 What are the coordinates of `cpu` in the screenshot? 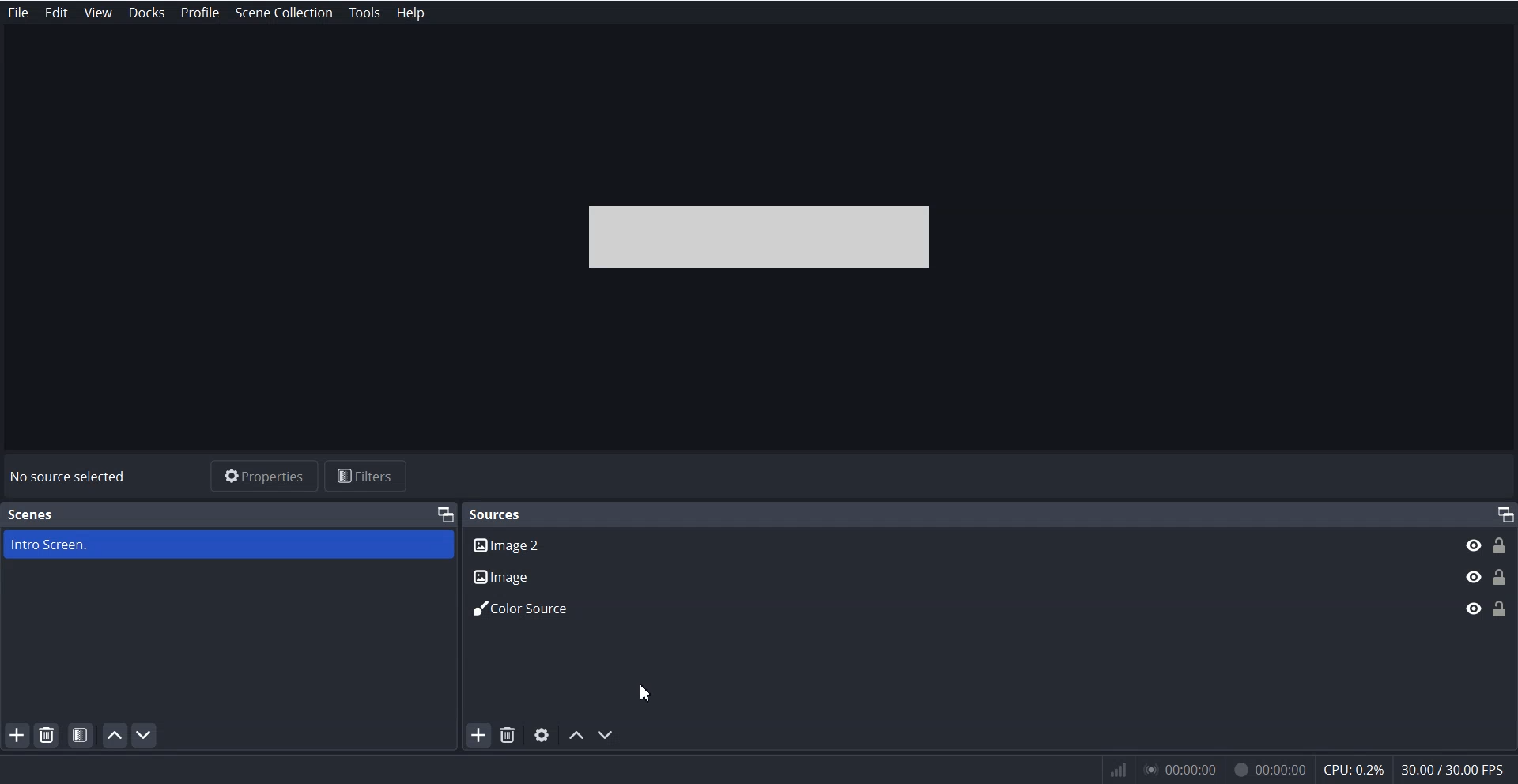 It's located at (1353, 767).